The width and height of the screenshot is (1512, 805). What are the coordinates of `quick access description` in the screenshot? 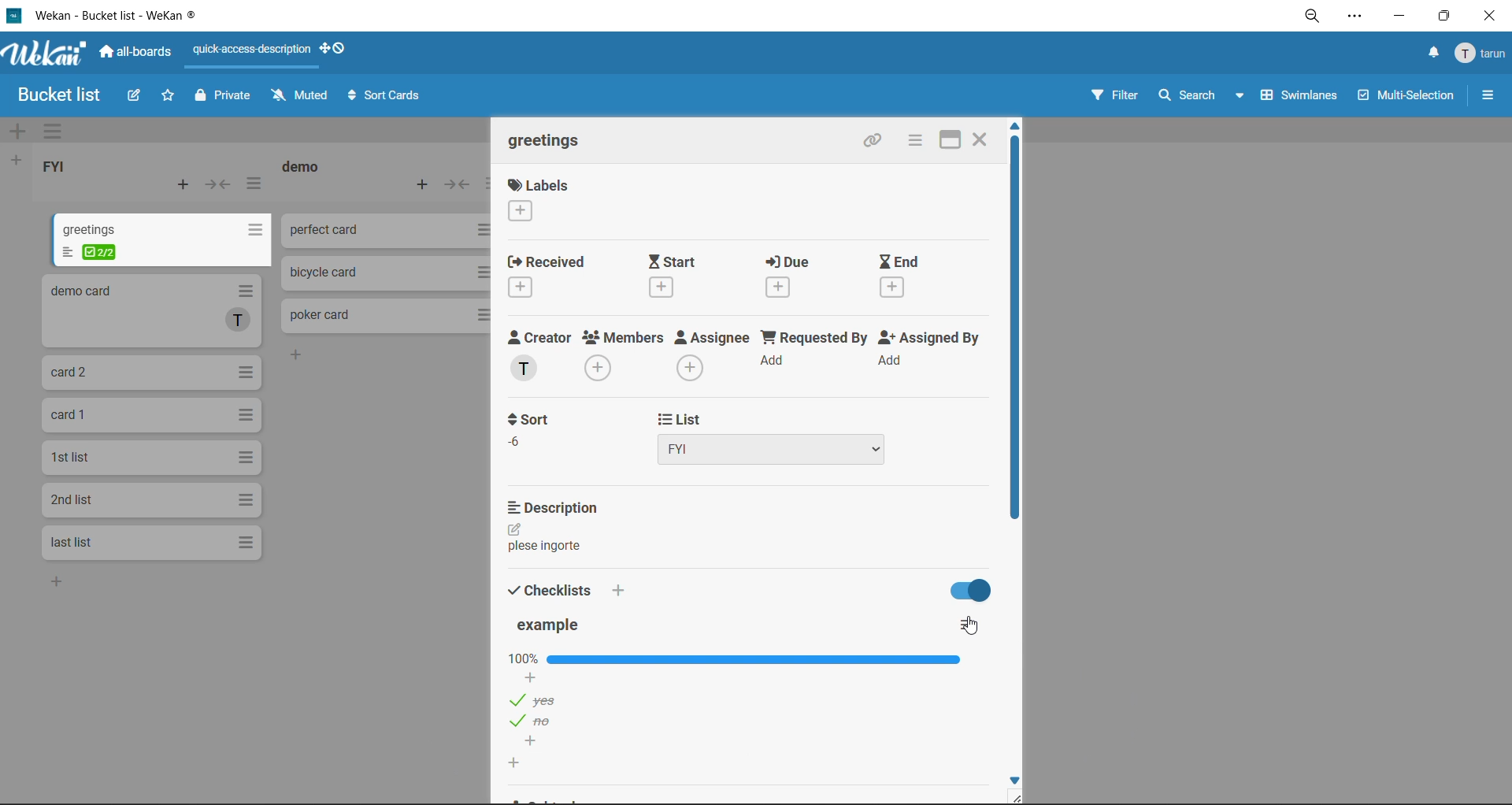 It's located at (248, 56).